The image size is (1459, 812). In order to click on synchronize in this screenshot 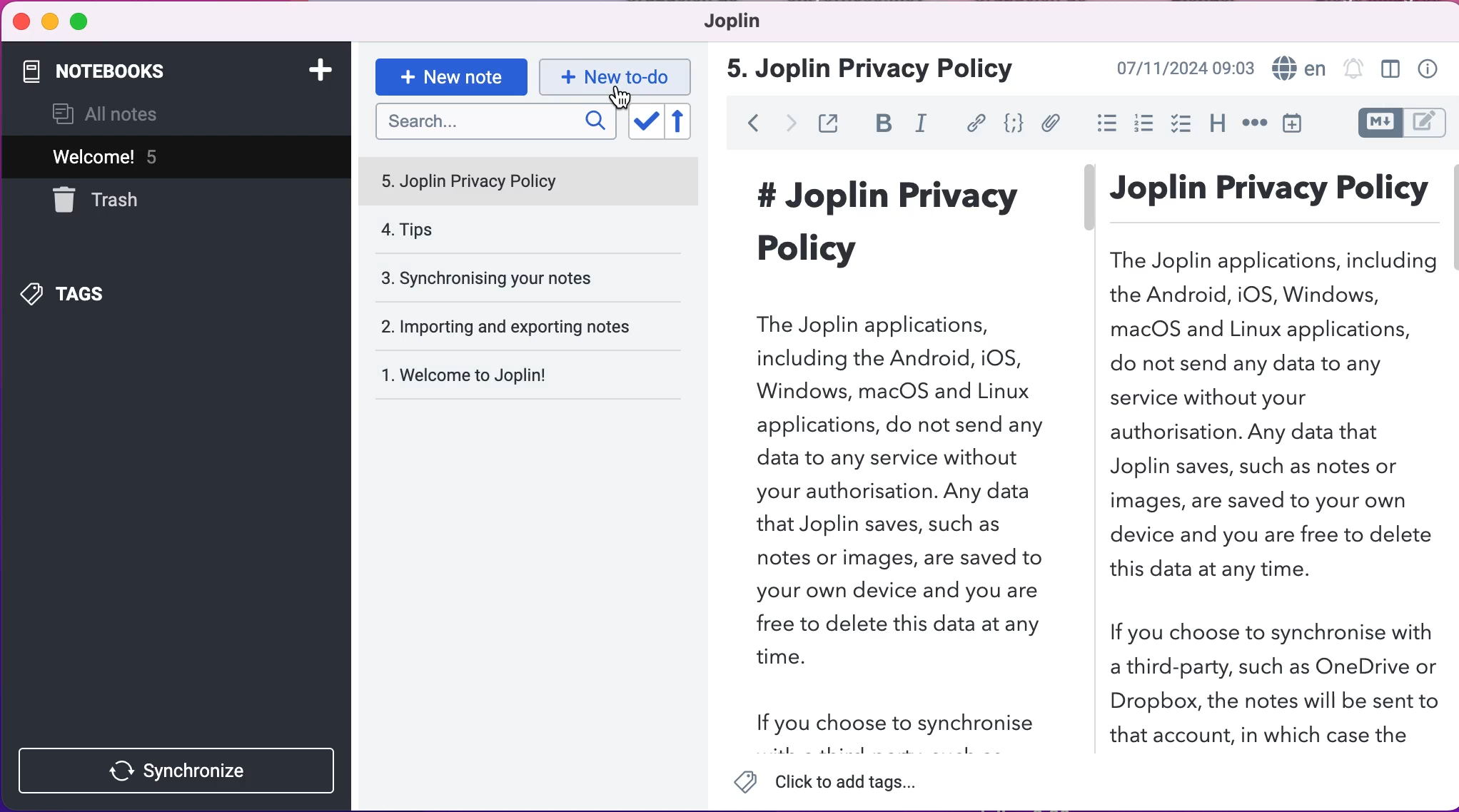, I will do `click(181, 770)`.